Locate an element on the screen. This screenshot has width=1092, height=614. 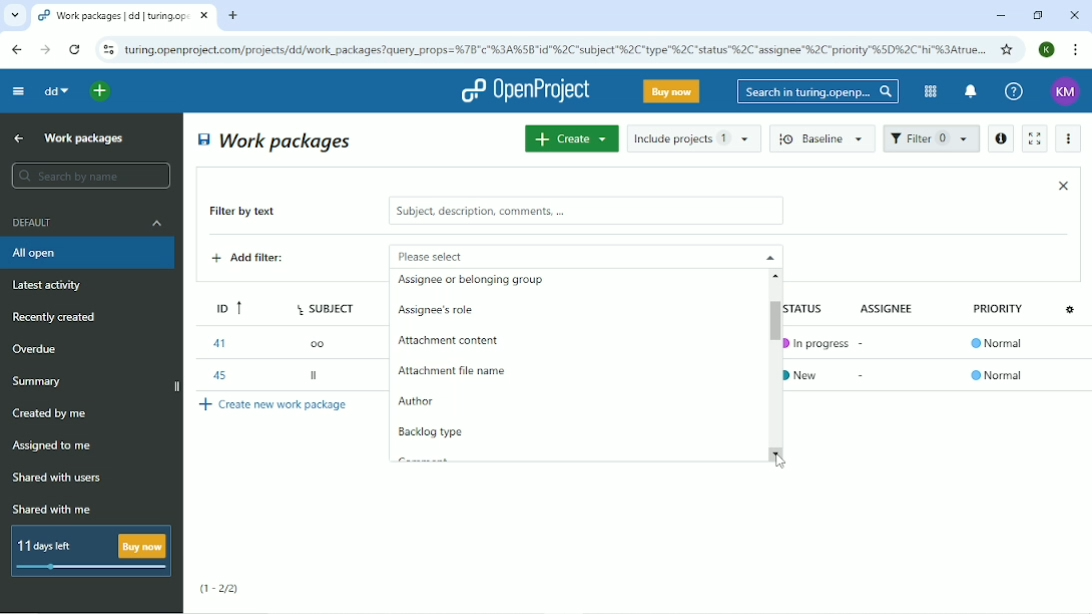
Add filter is located at coordinates (263, 260).